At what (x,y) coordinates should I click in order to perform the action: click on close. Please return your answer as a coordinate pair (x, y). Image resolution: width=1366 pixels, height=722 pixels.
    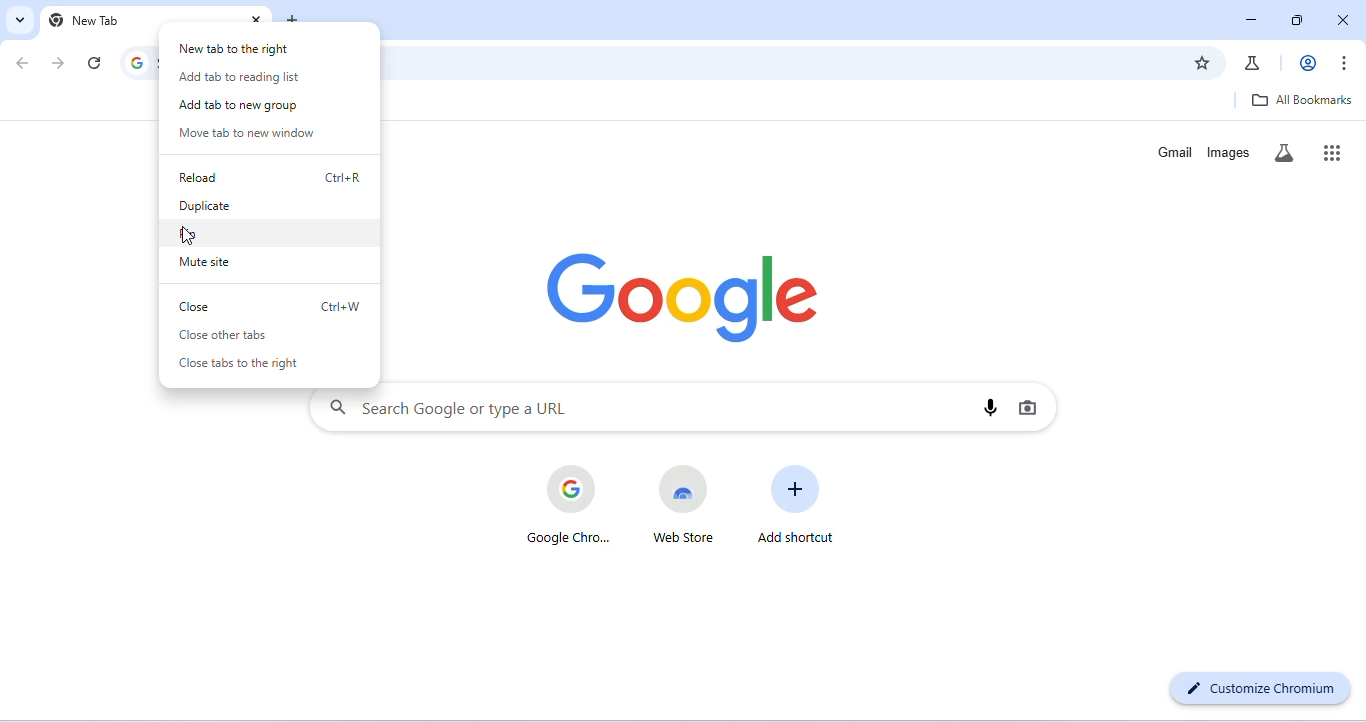
    Looking at the image, I should click on (1346, 20).